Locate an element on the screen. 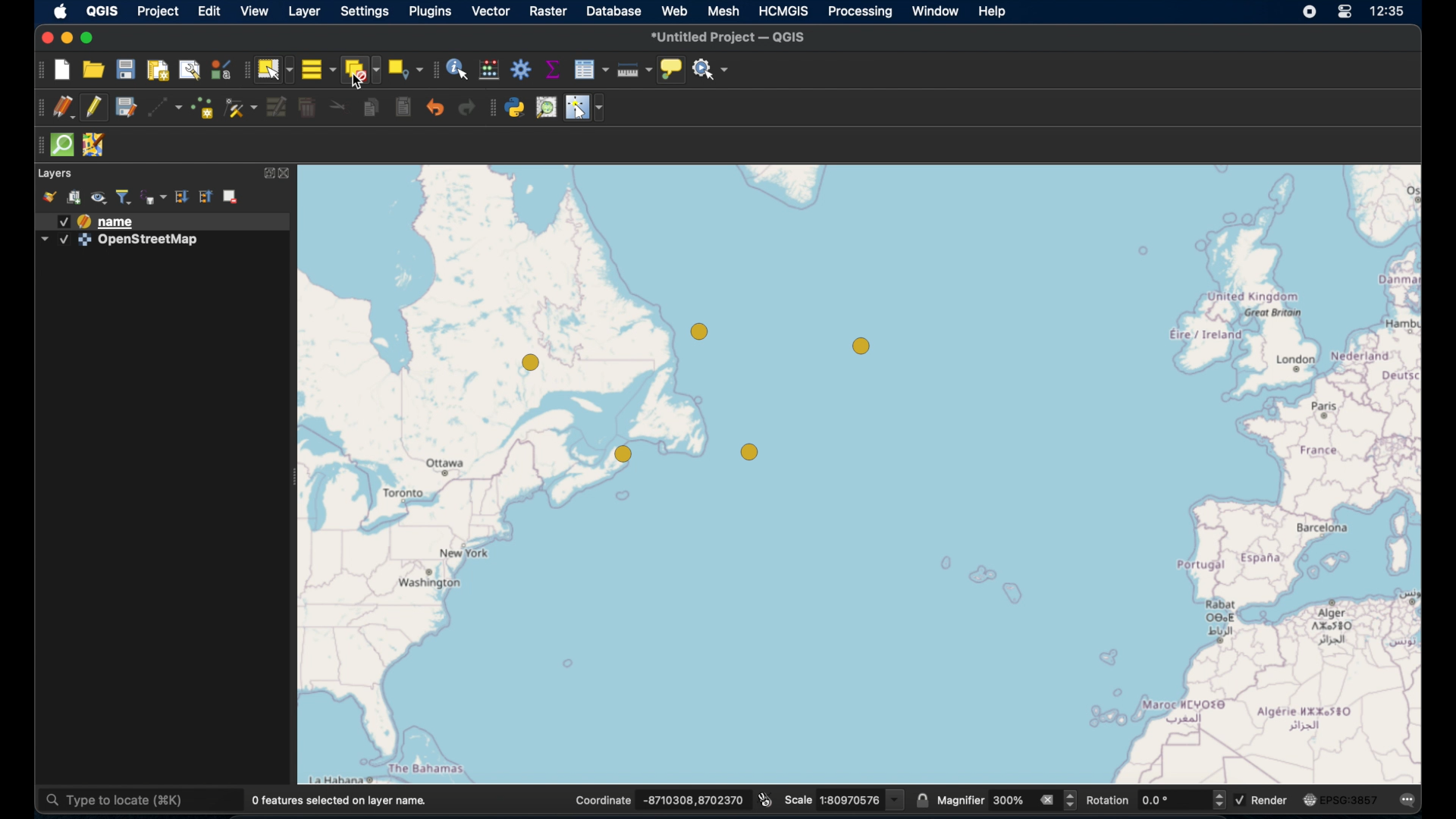 Image resolution: width=1456 pixels, height=819 pixels. python console is located at coordinates (516, 108).